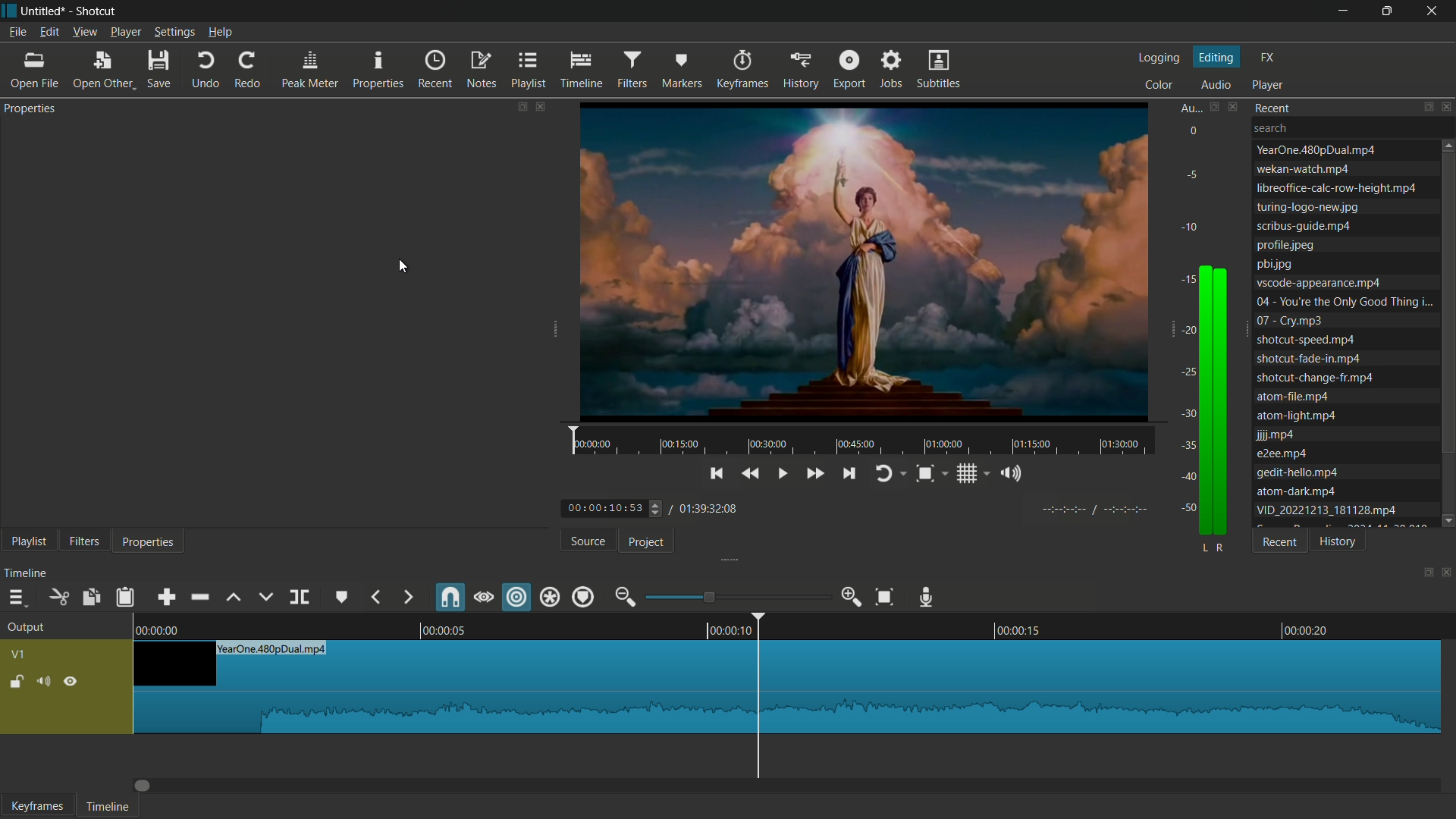 The image size is (1456, 819). What do you see at coordinates (71, 682) in the screenshot?
I see `hide` at bounding box center [71, 682].